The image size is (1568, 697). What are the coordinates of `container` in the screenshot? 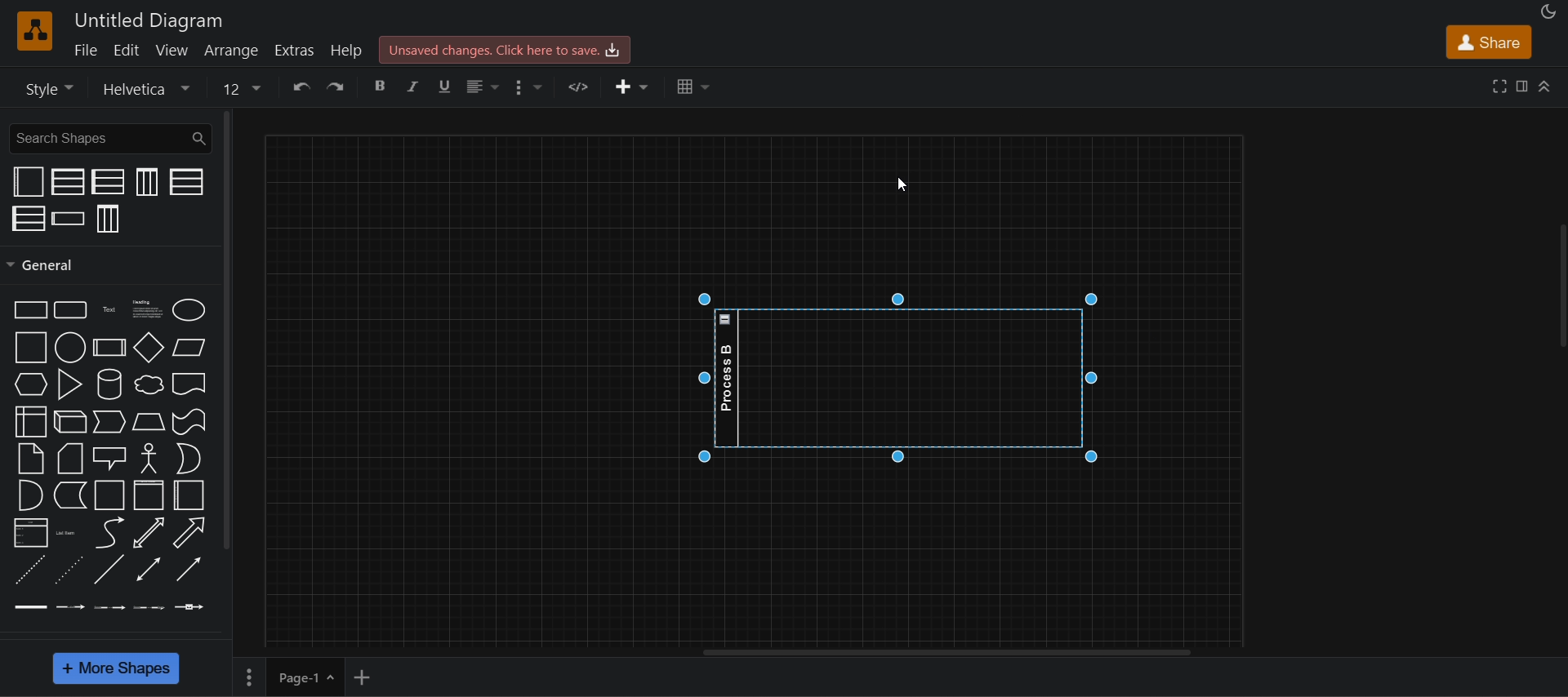 It's located at (107, 496).